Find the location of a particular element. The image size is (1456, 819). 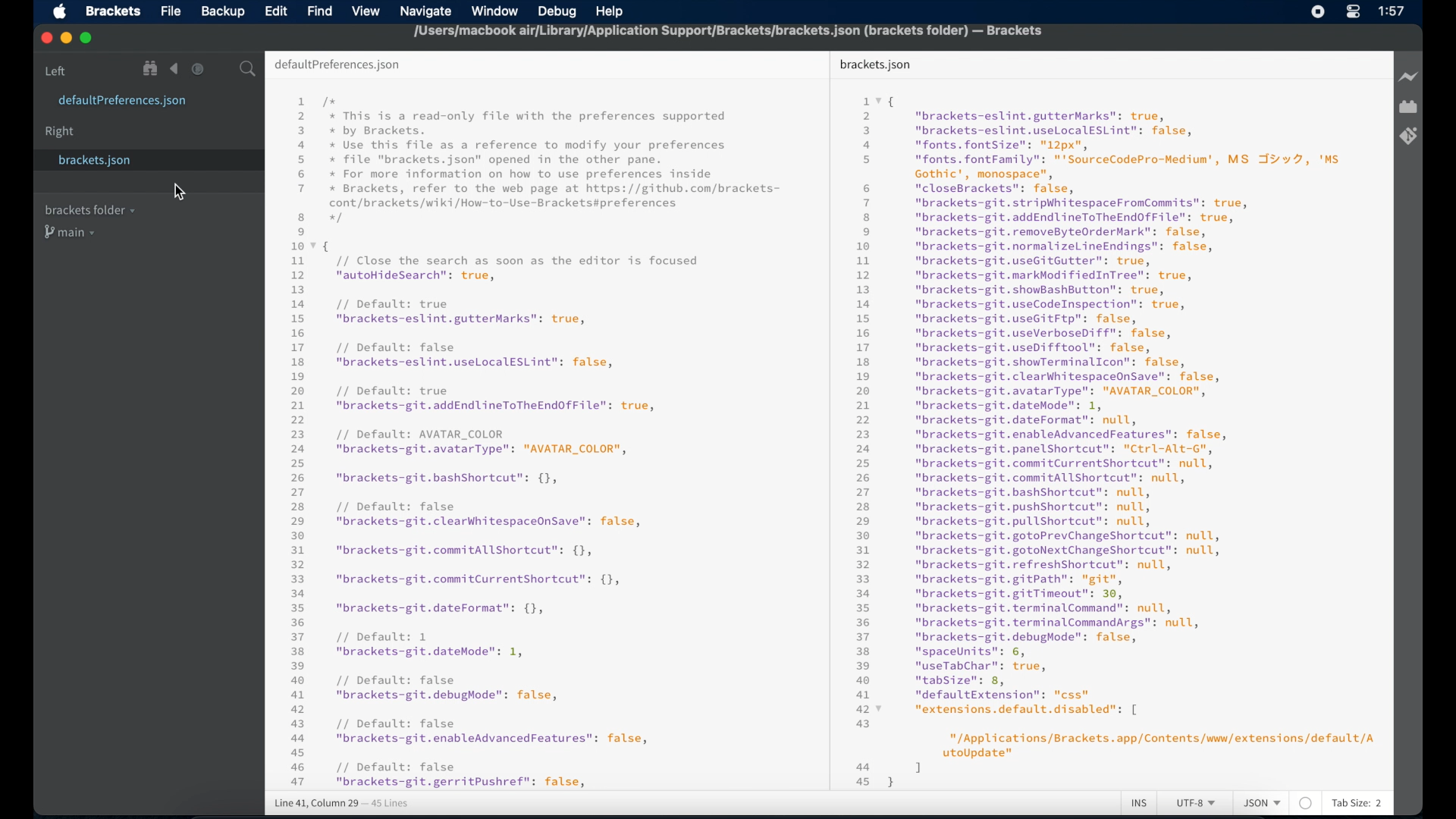

no linter  available for this file is located at coordinates (1305, 804).